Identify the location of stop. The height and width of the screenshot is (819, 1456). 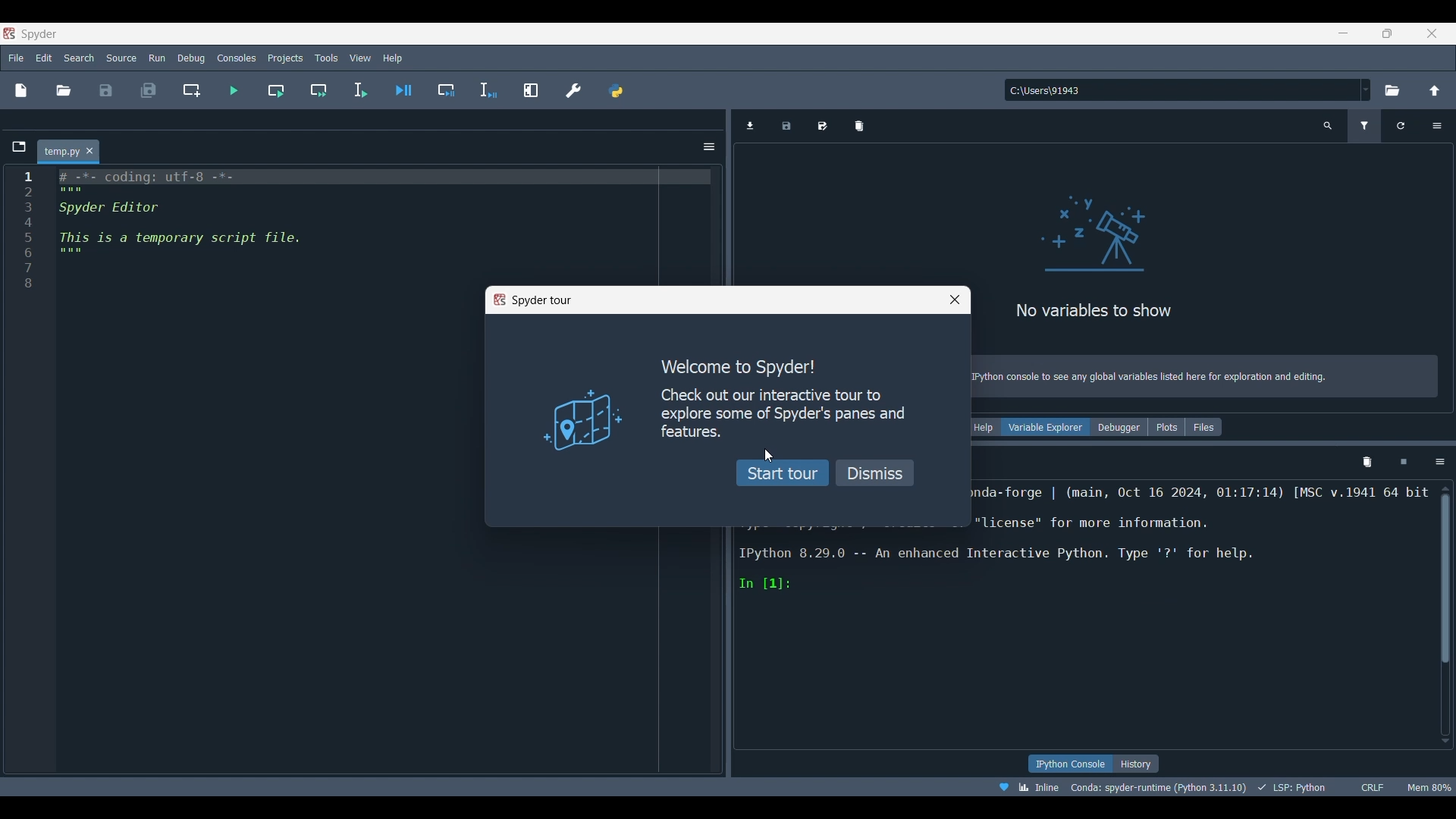
(1400, 460).